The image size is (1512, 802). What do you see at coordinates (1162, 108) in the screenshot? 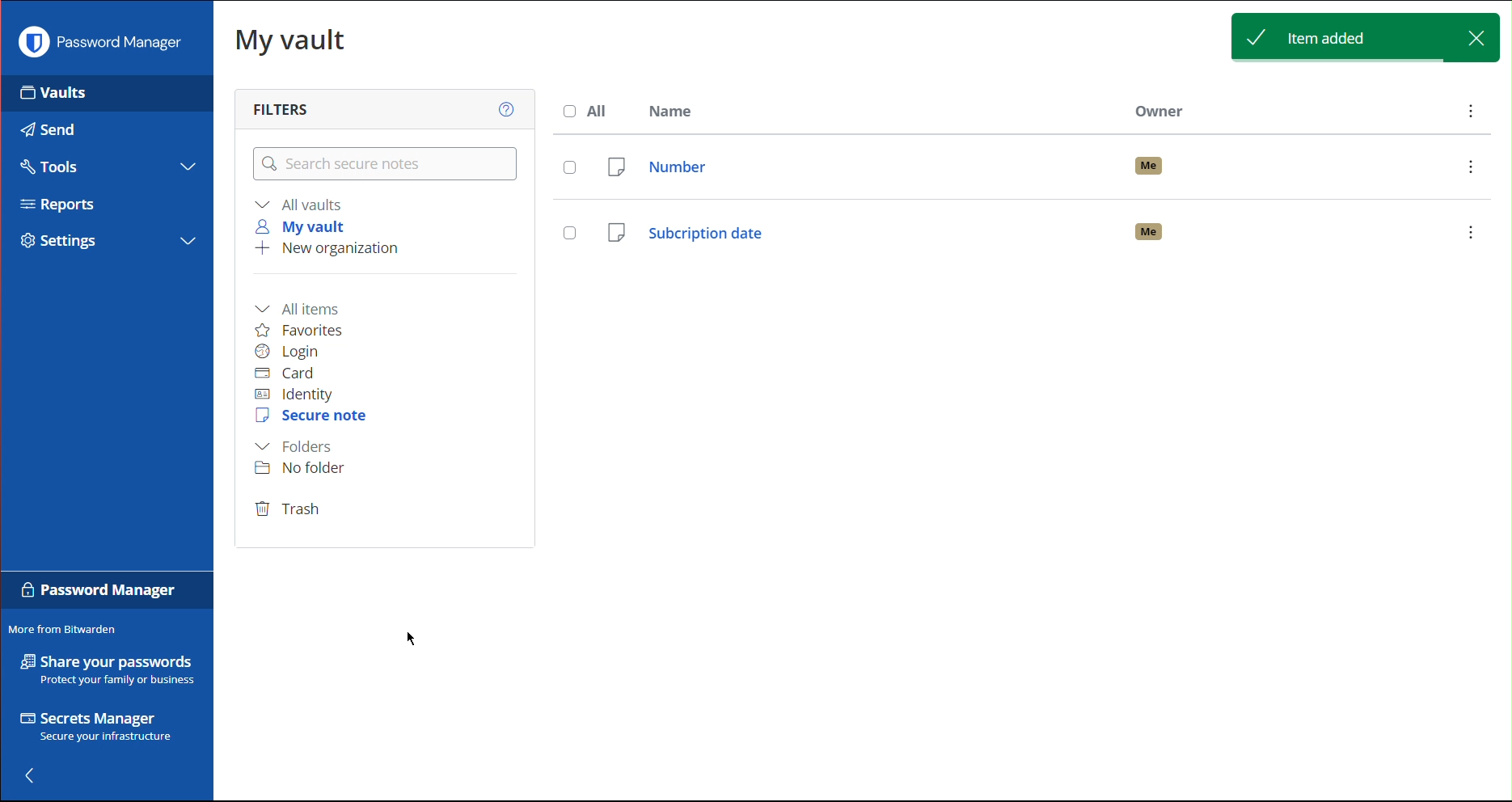
I see `Owner` at bounding box center [1162, 108].